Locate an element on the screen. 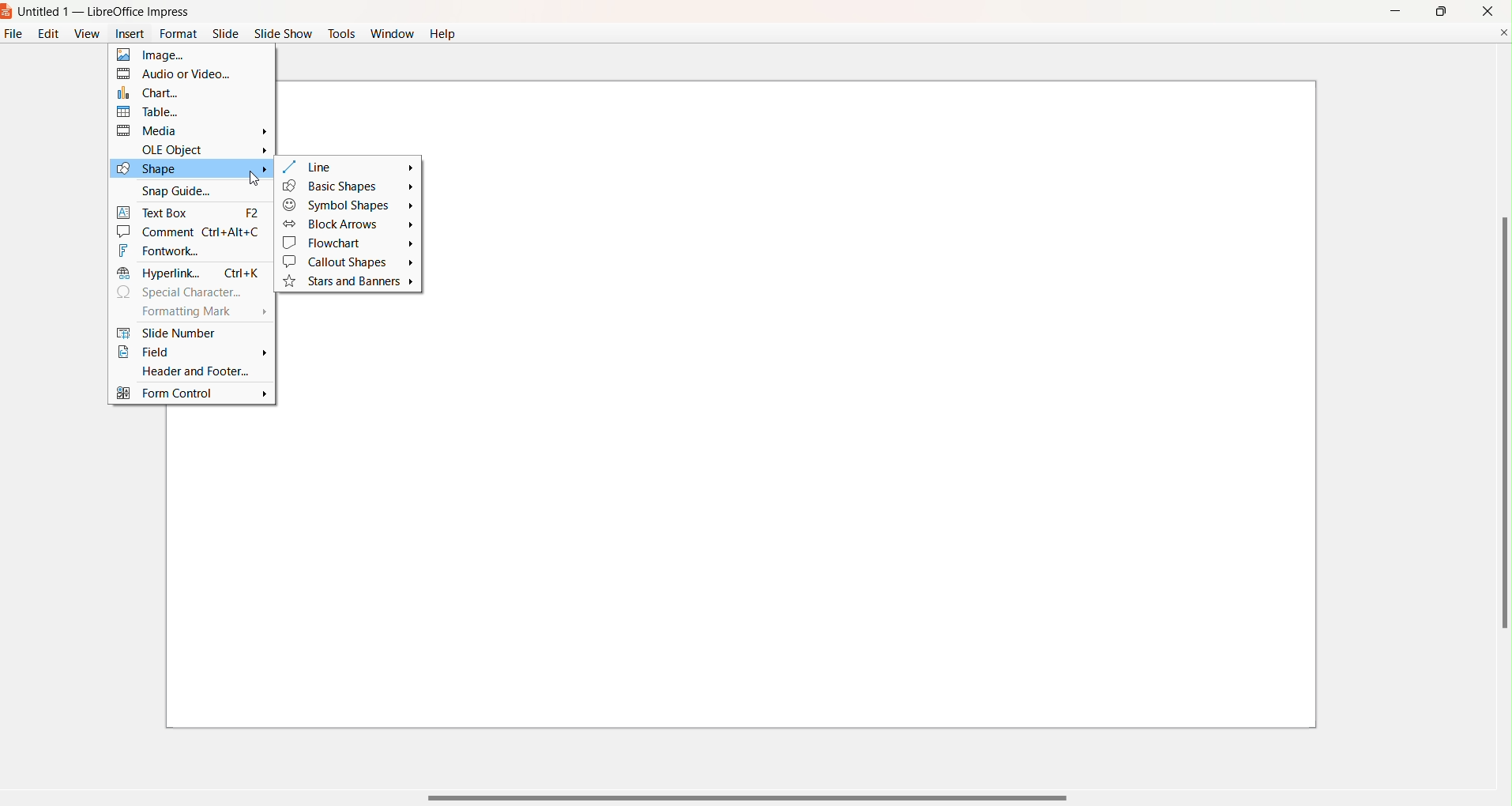  Snap Guide is located at coordinates (183, 190).